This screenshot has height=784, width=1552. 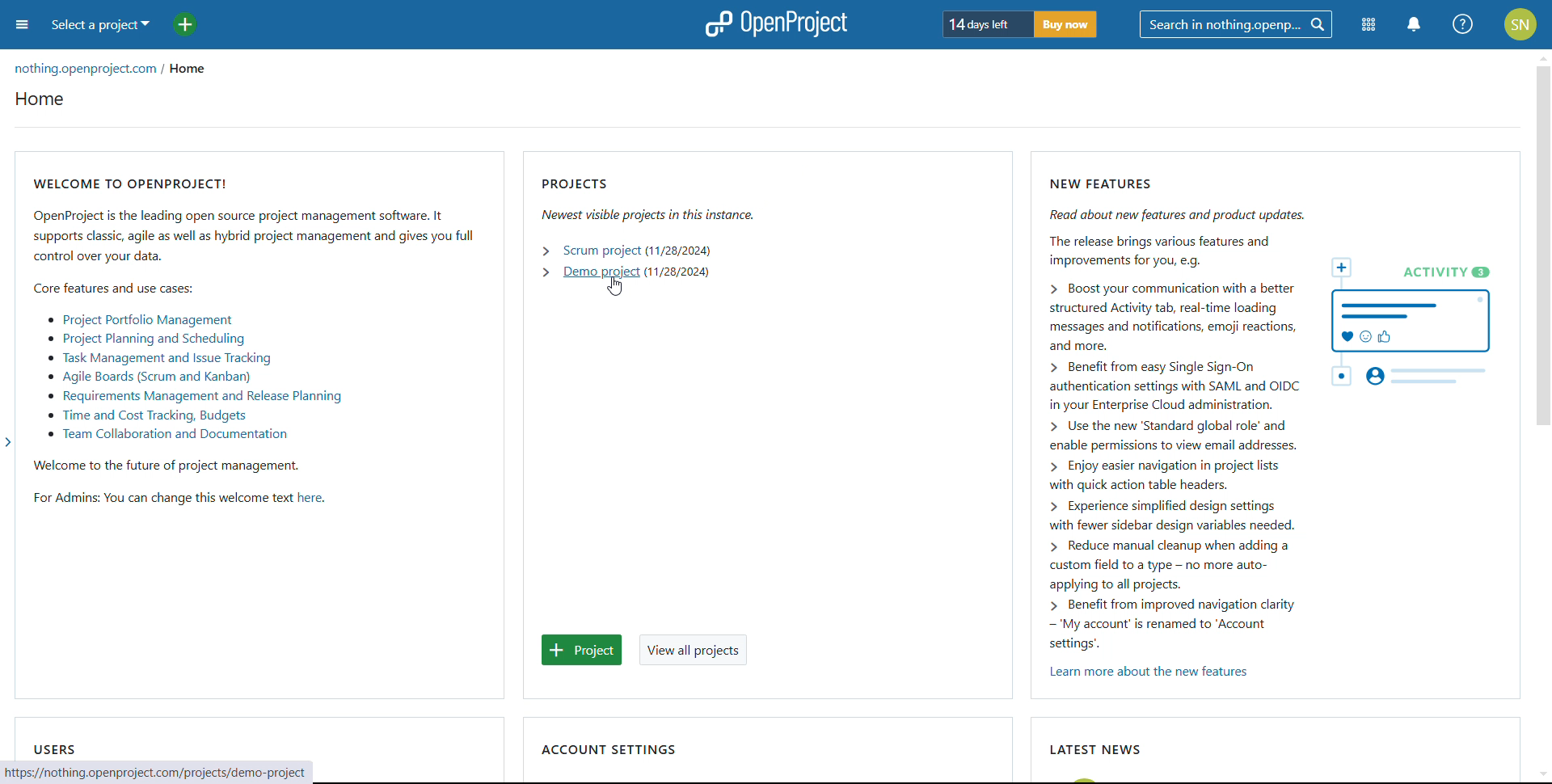 What do you see at coordinates (23, 25) in the screenshot?
I see `open sidebar menu` at bounding box center [23, 25].